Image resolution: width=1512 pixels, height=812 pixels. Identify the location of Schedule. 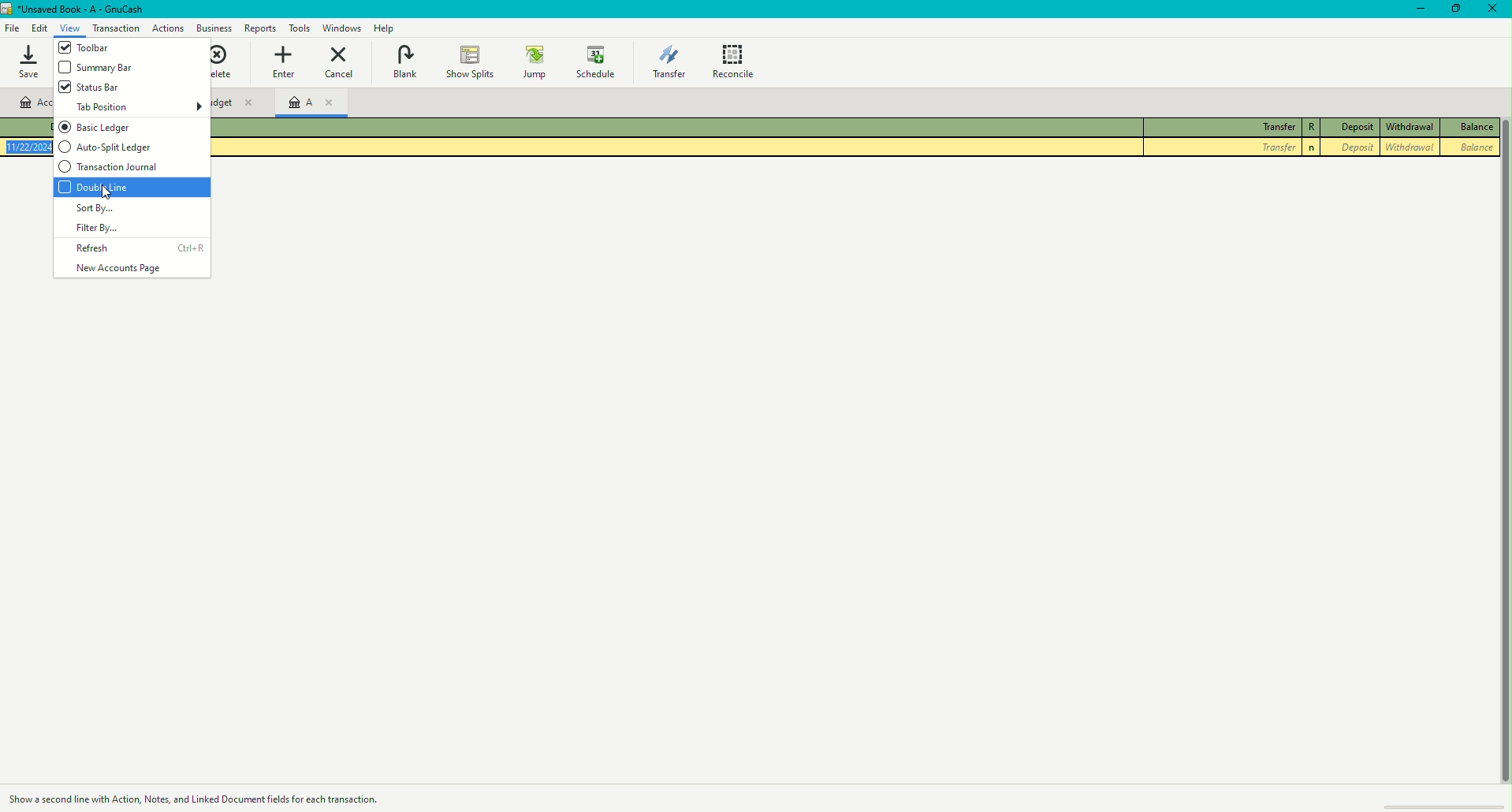
(597, 61).